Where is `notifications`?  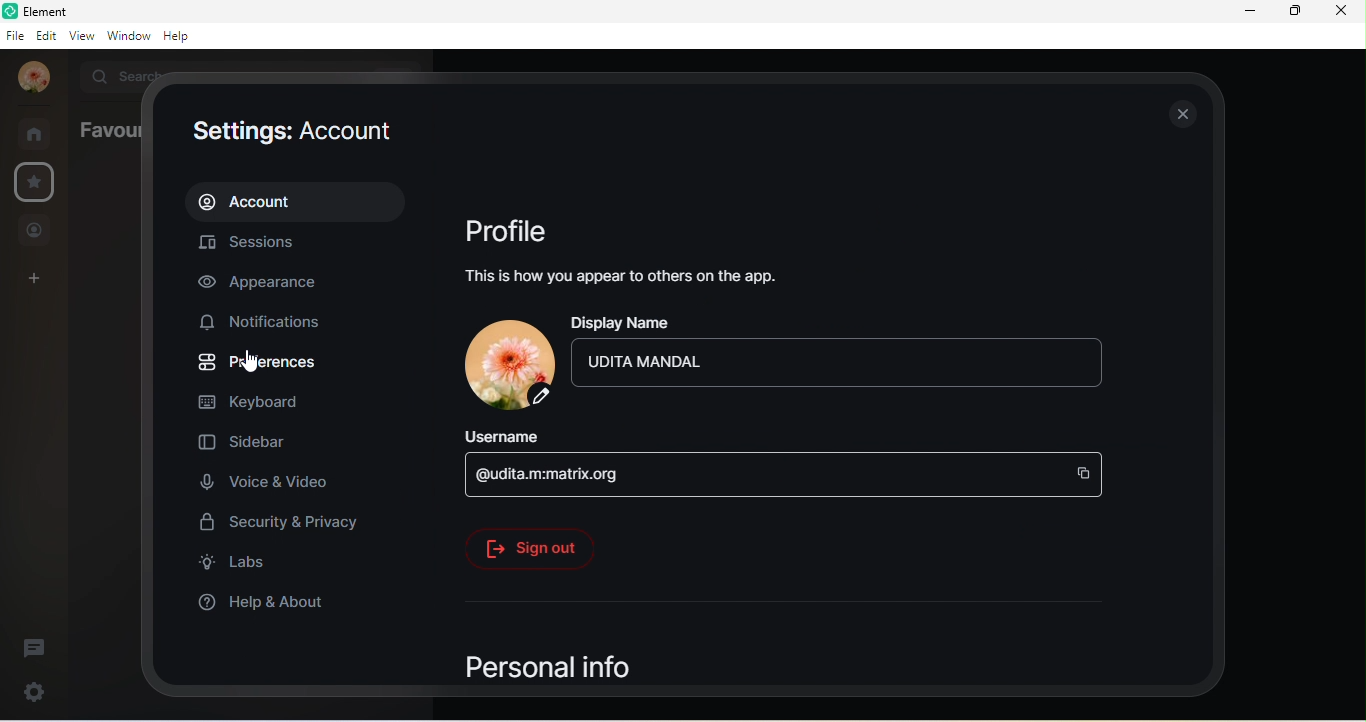
notifications is located at coordinates (275, 325).